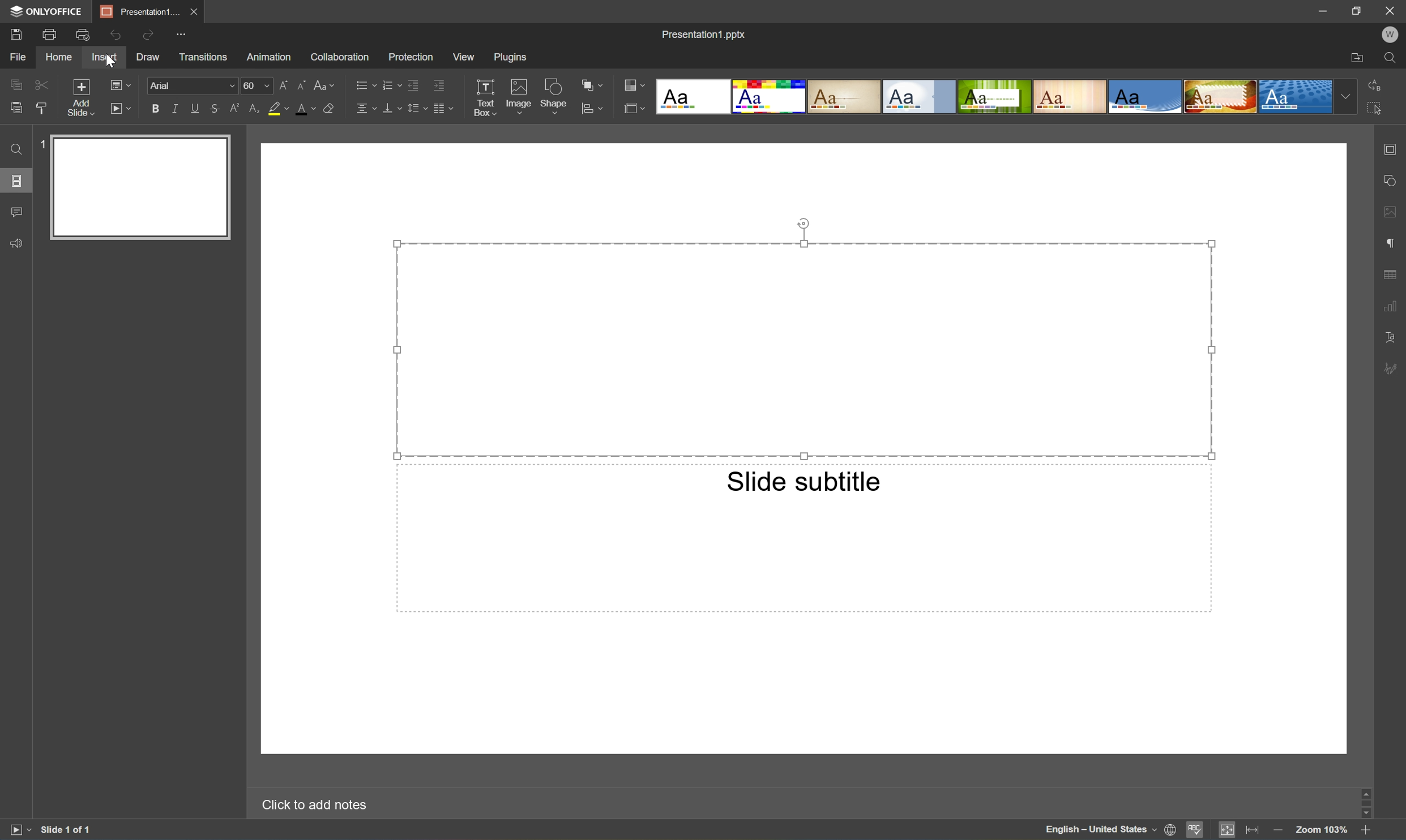 Image resolution: width=1406 pixels, height=840 pixels. Describe the element at coordinates (300, 83) in the screenshot. I see `Decrement case` at that location.